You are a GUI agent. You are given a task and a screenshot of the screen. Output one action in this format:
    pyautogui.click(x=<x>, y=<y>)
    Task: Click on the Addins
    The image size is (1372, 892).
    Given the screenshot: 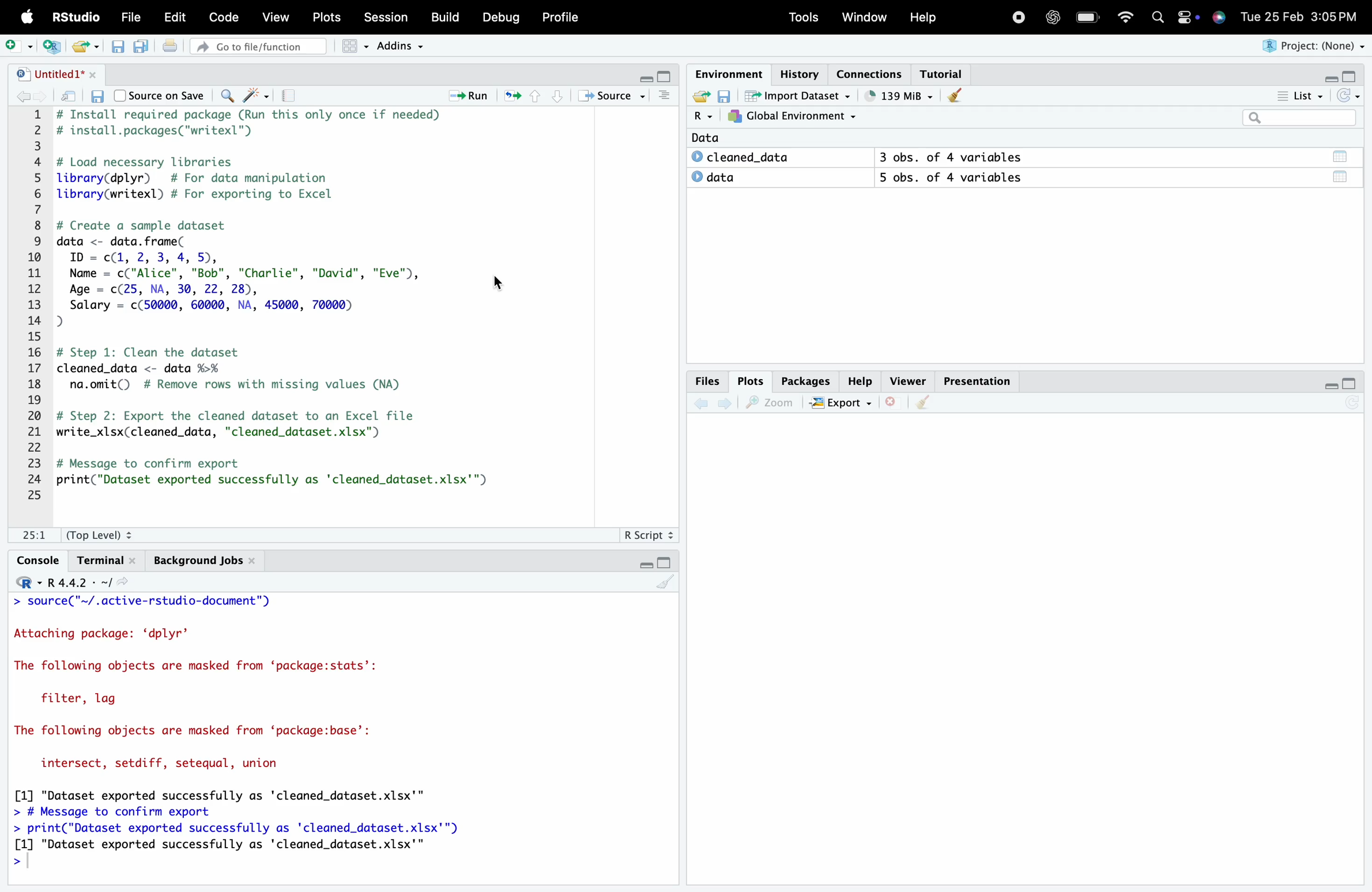 What is the action you would take?
    pyautogui.click(x=401, y=44)
    